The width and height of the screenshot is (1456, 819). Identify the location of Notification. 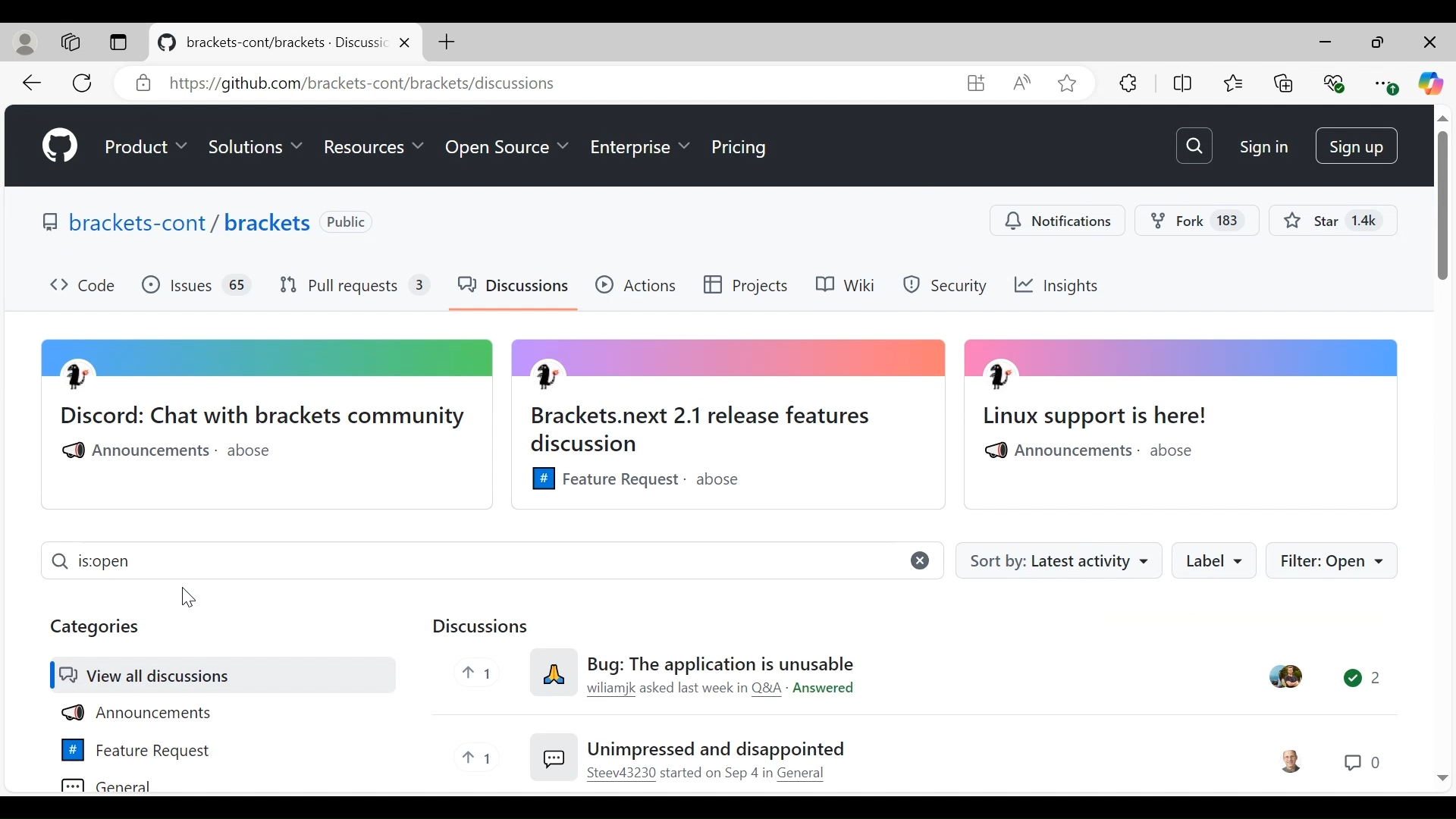
(1059, 222).